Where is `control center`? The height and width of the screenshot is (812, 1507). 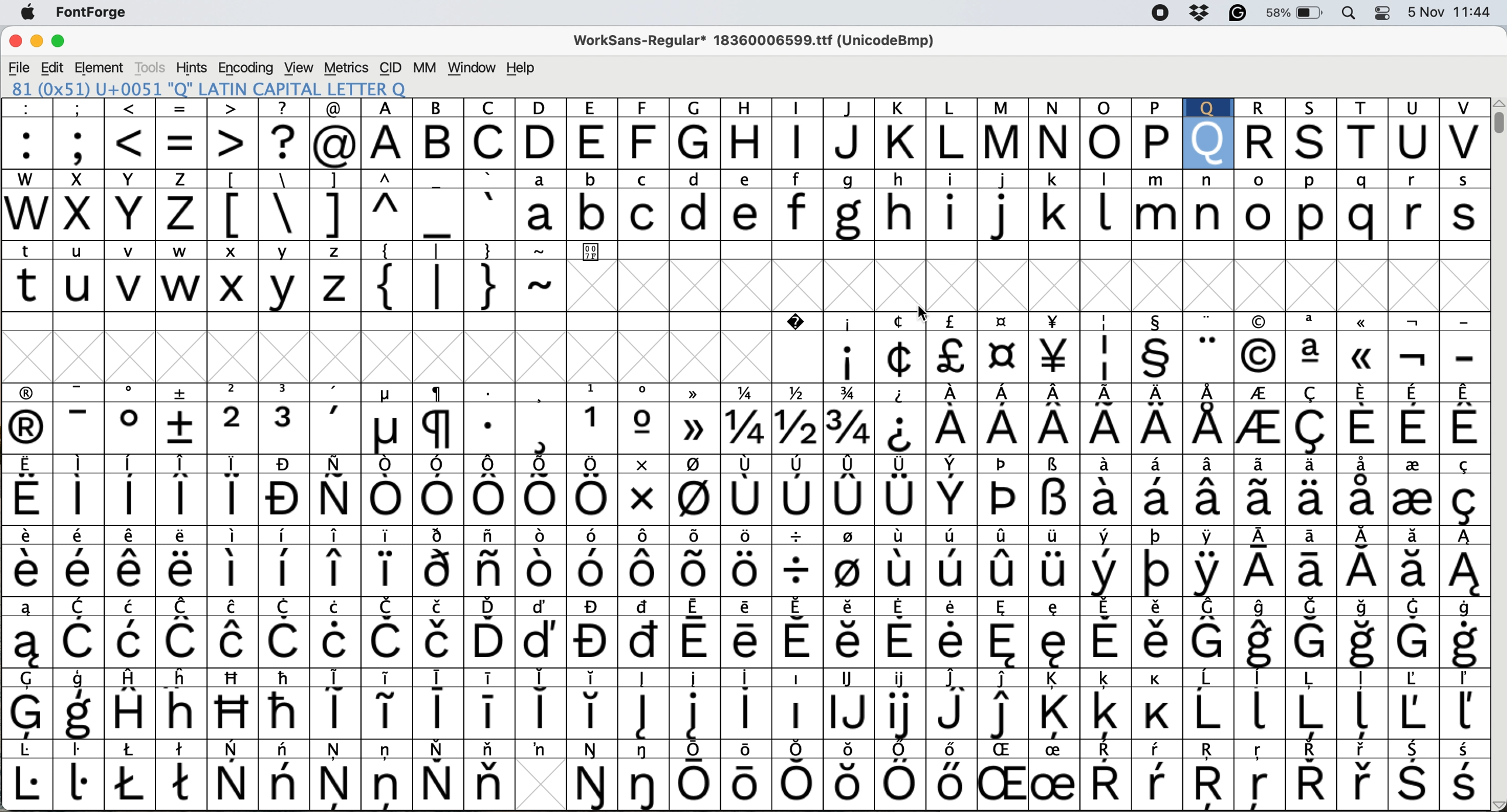
control center is located at coordinates (1383, 14).